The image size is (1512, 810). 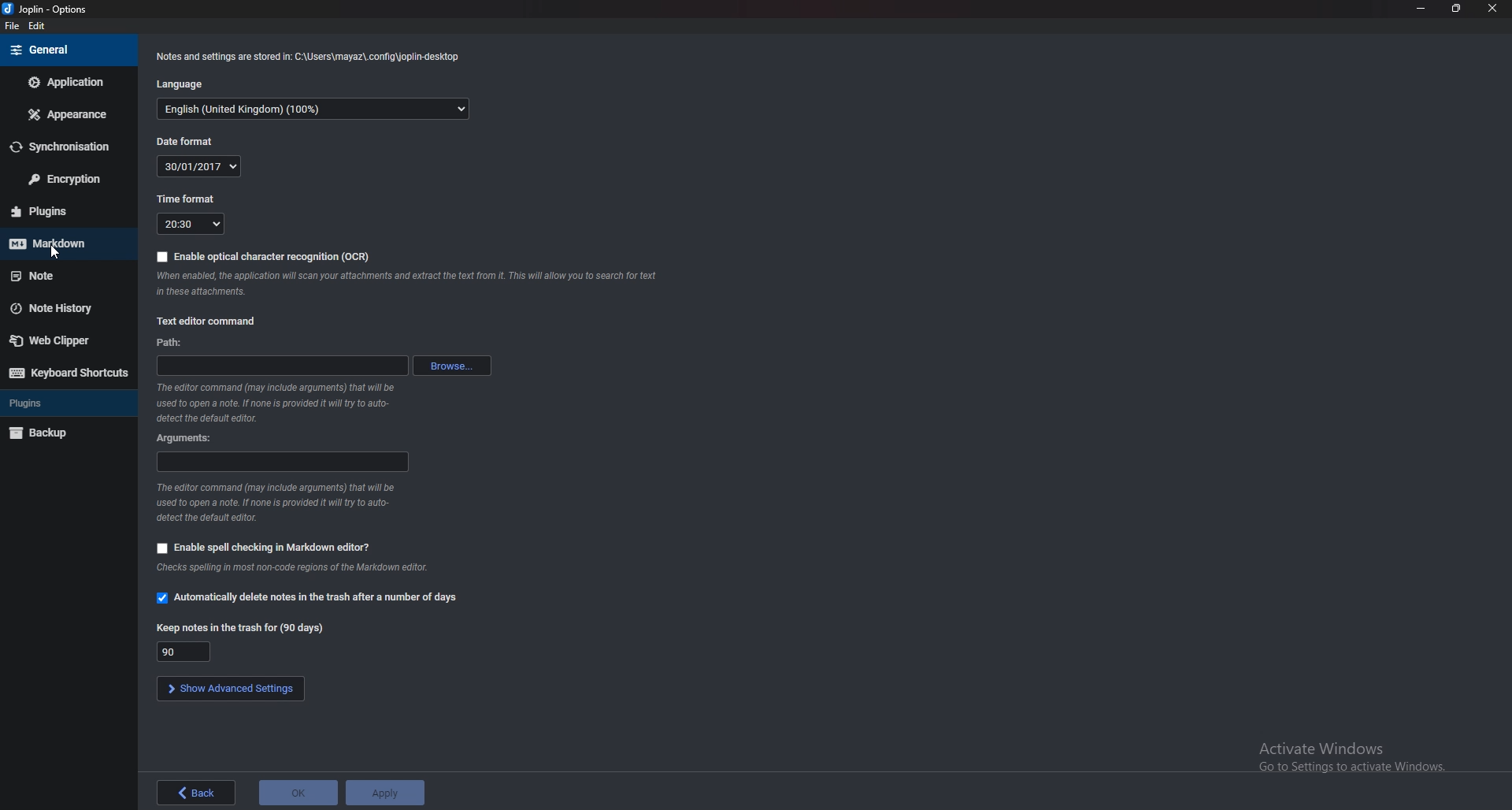 What do you see at coordinates (184, 652) in the screenshot?
I see `Keep notes in trash for` at bounding box center [184, 652].